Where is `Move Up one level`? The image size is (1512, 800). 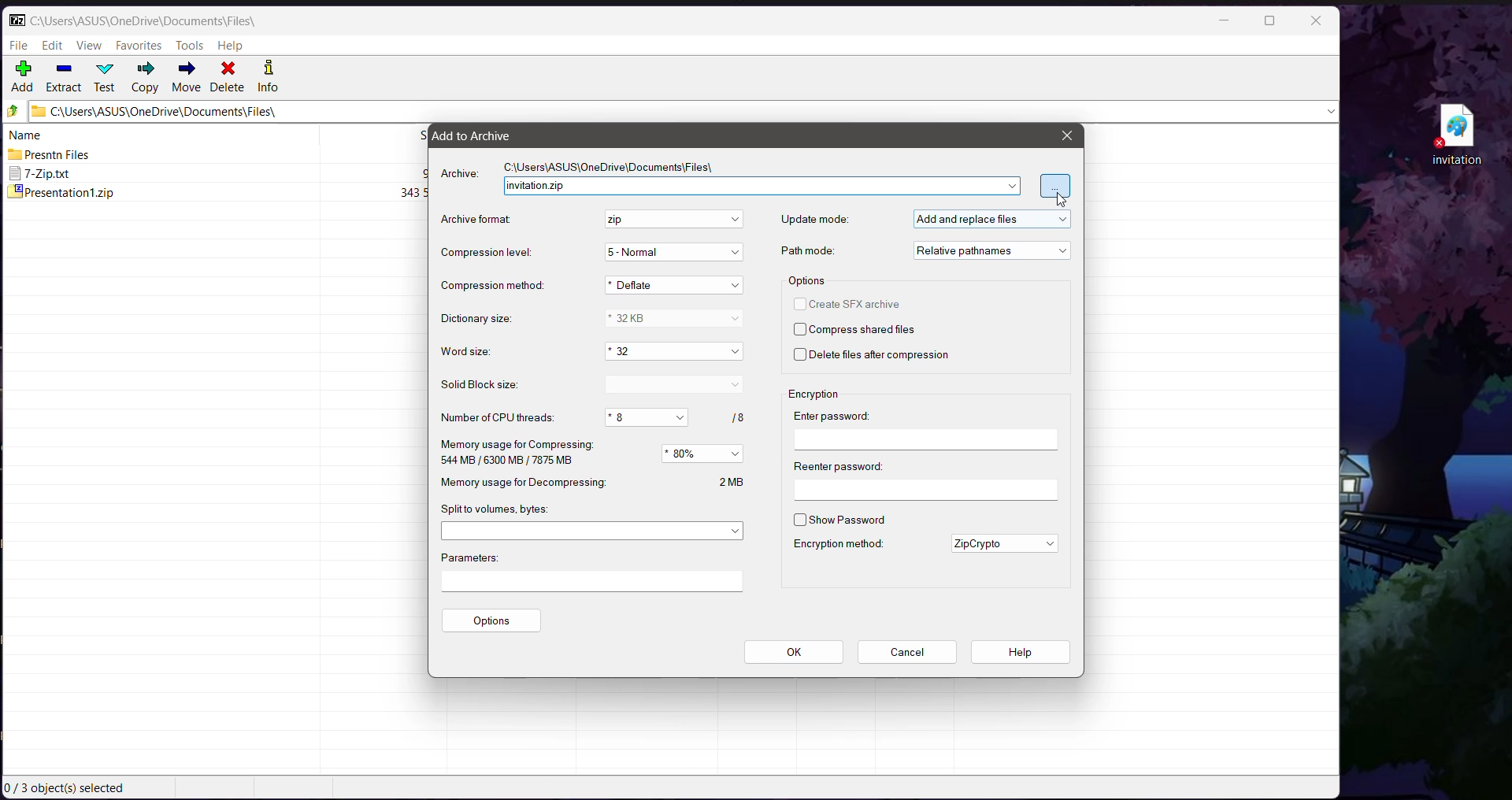
Move Up one level is located at coordinates (13, 111).